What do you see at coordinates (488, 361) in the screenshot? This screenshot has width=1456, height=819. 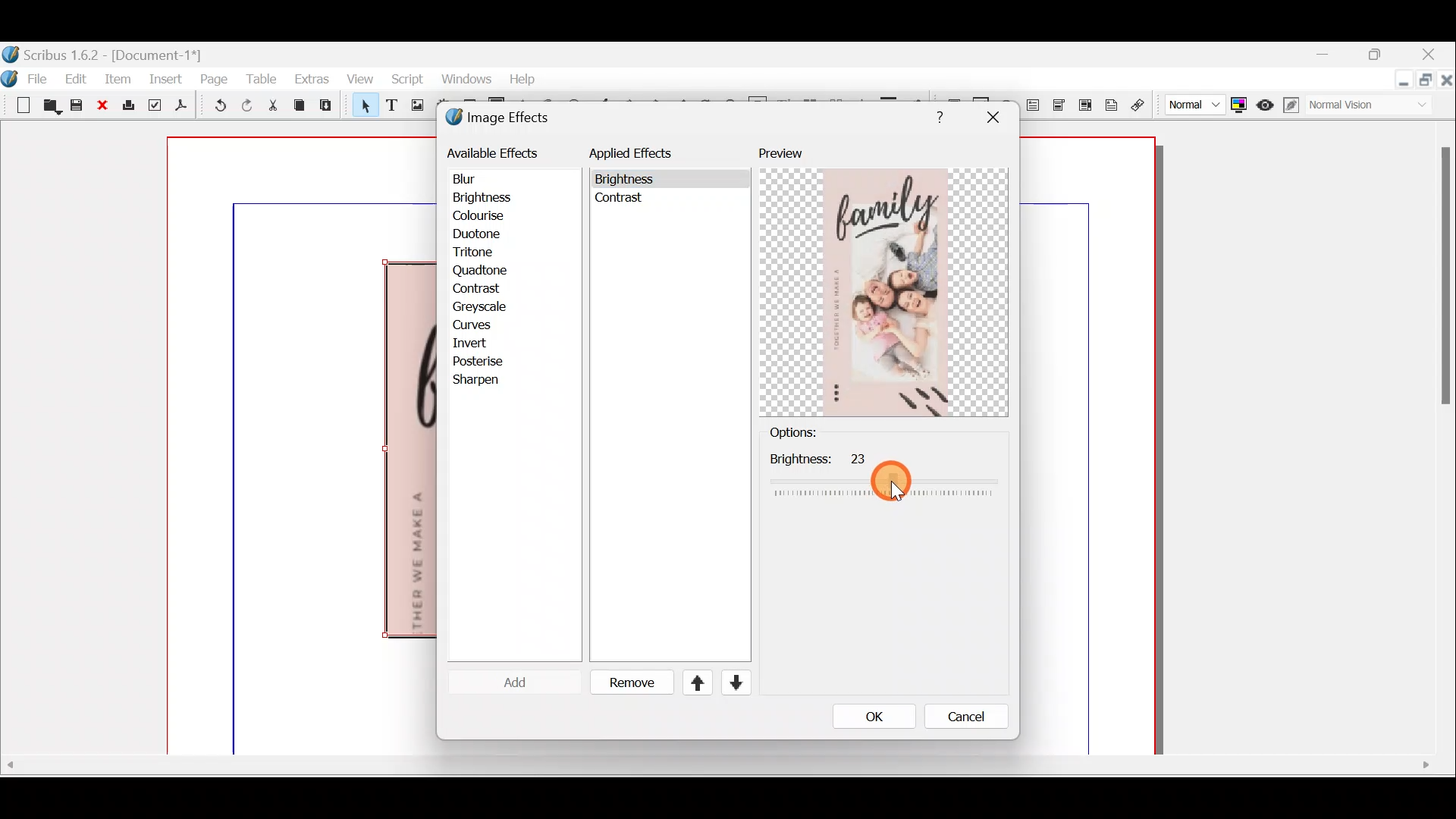 I see `Posterise` at bounding box center [488, 361].